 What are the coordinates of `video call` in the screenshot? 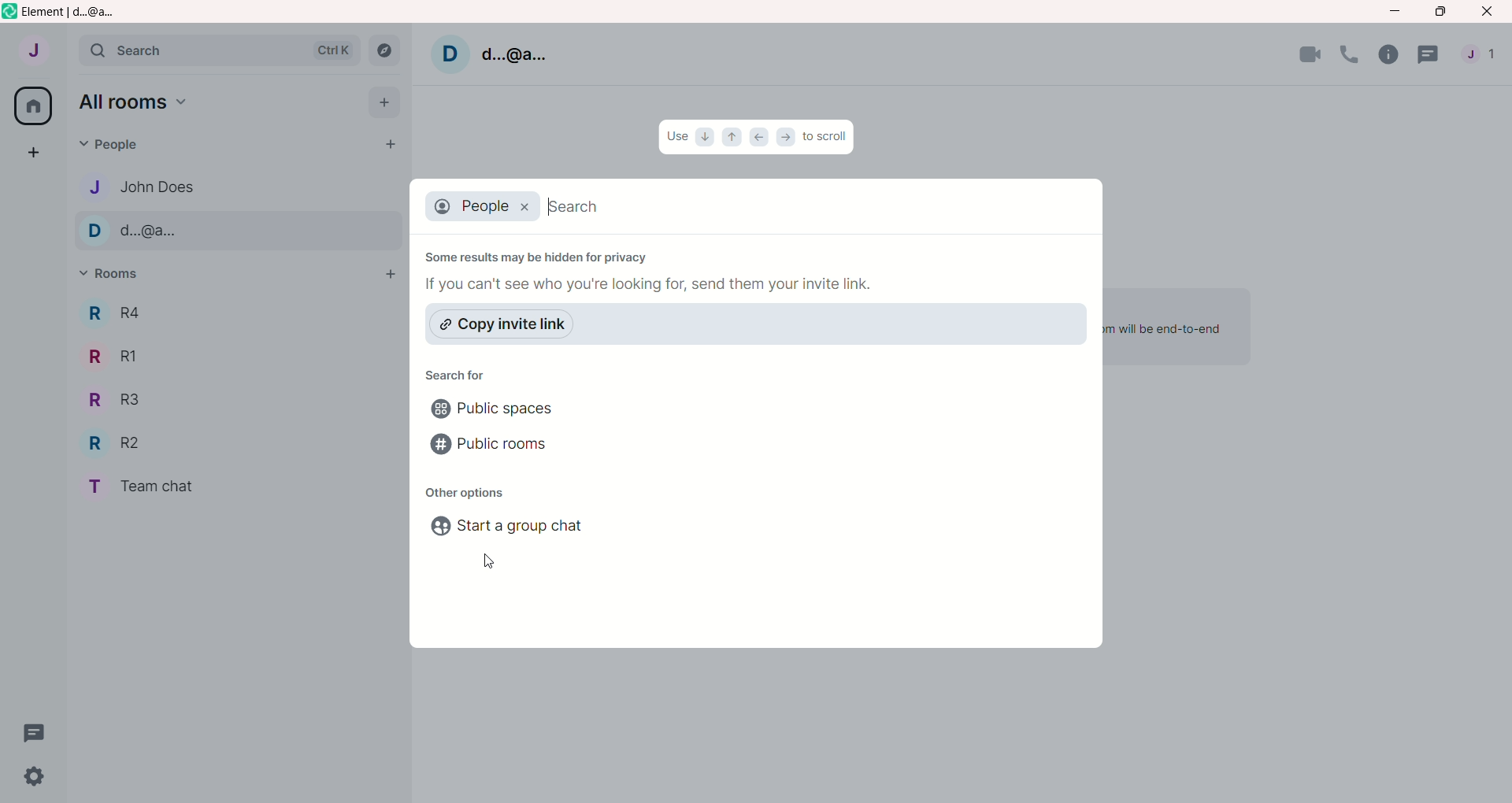 It's located at (1310, 54).